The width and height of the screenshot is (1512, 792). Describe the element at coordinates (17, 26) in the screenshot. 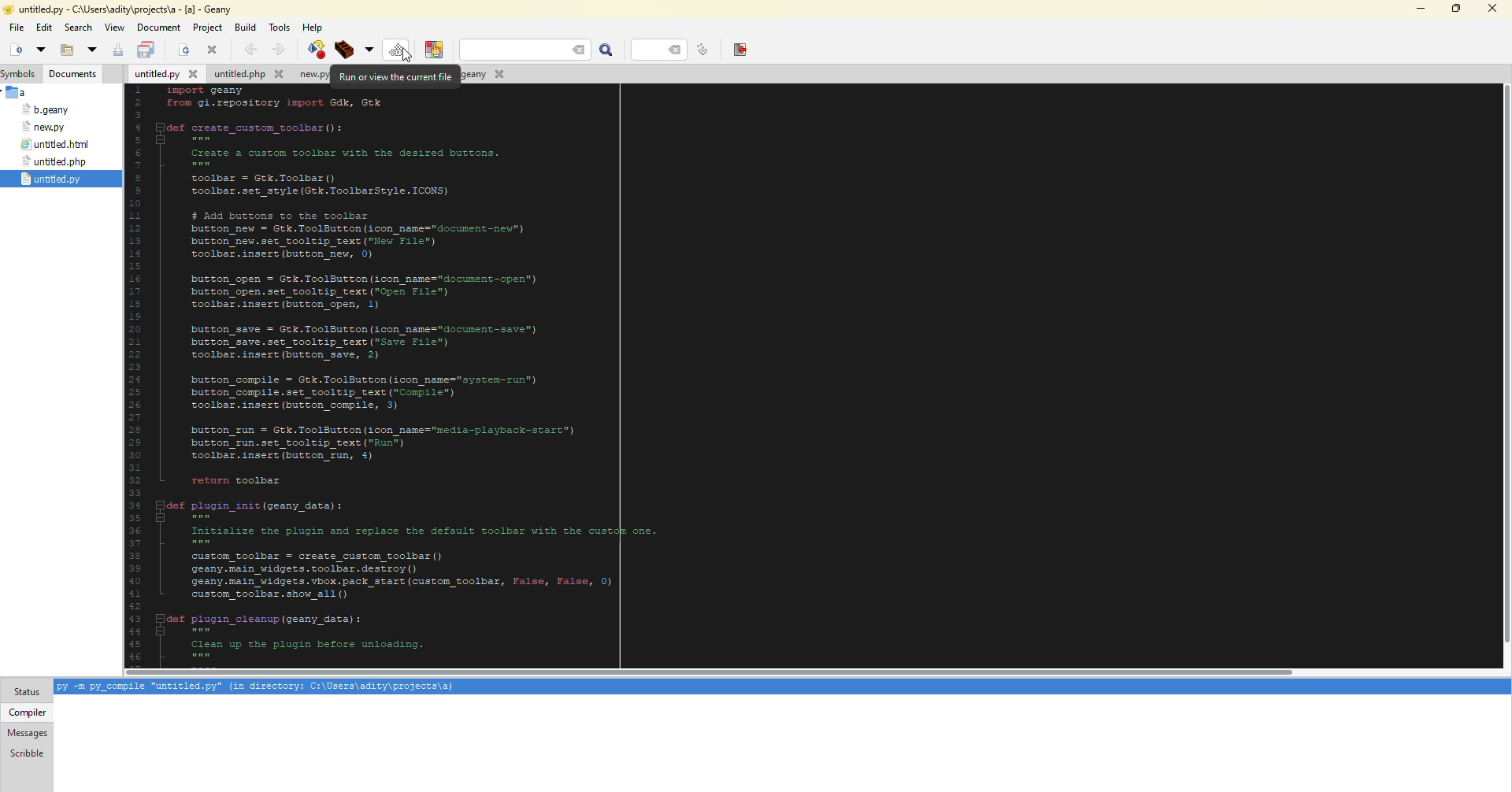

I see `file` at that location.